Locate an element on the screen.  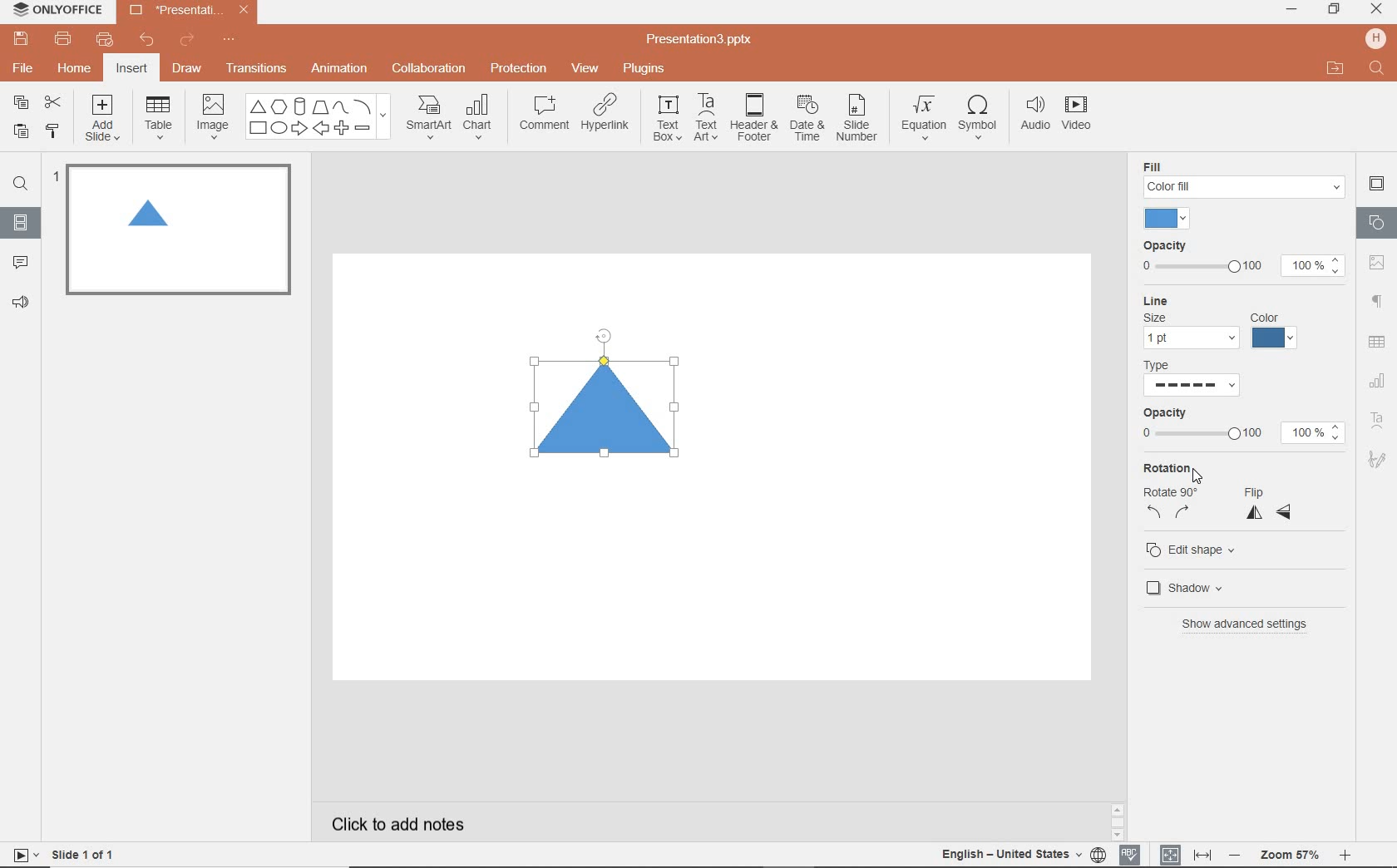
SAVE is located at coordinates (23, 37).